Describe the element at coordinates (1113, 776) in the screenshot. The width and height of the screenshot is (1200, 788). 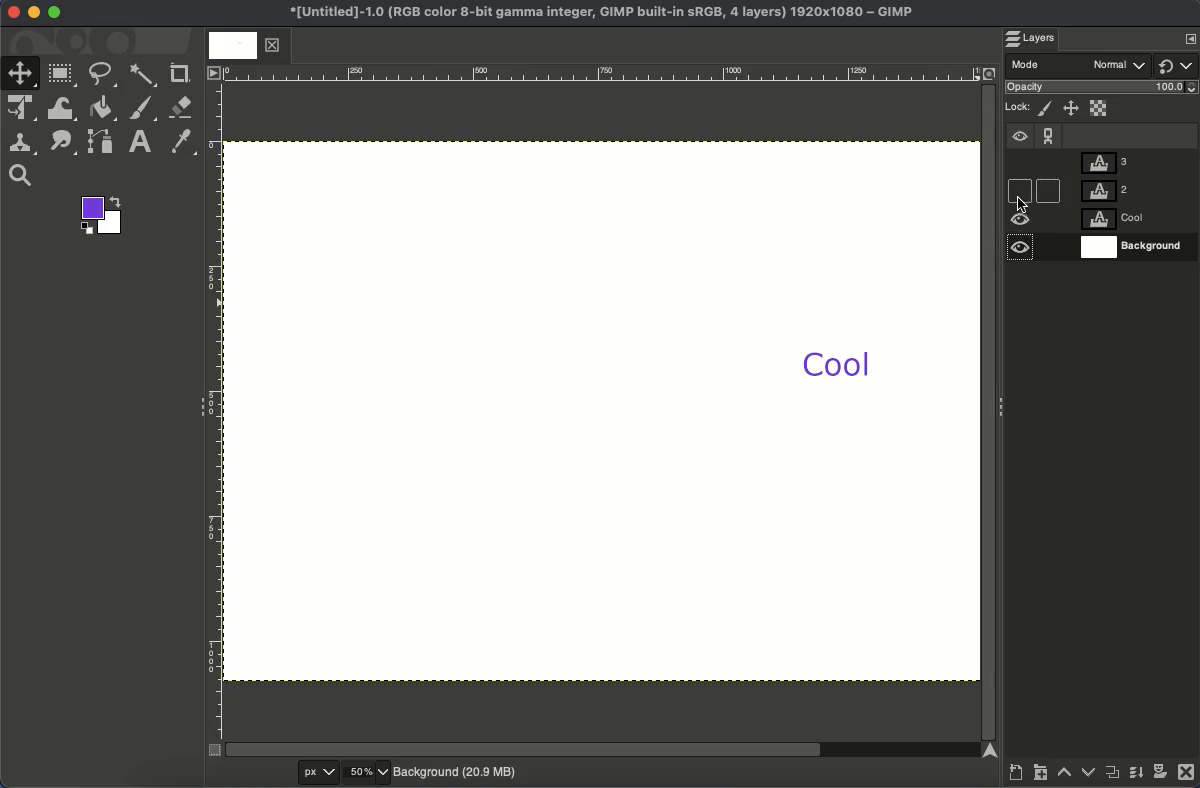
I see `Duplicate` at that location.